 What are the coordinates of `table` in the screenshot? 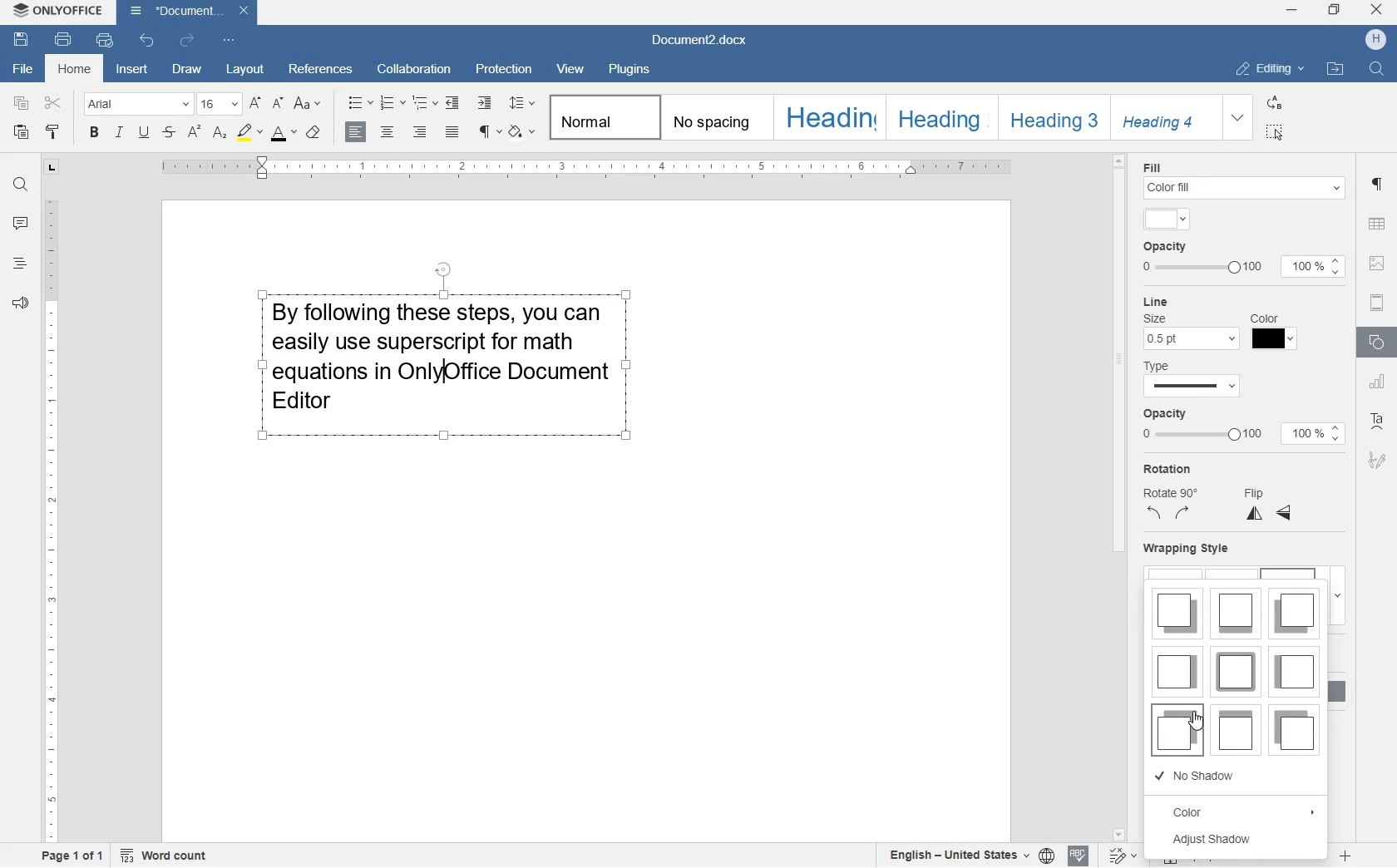 It's located at (1378, 225).